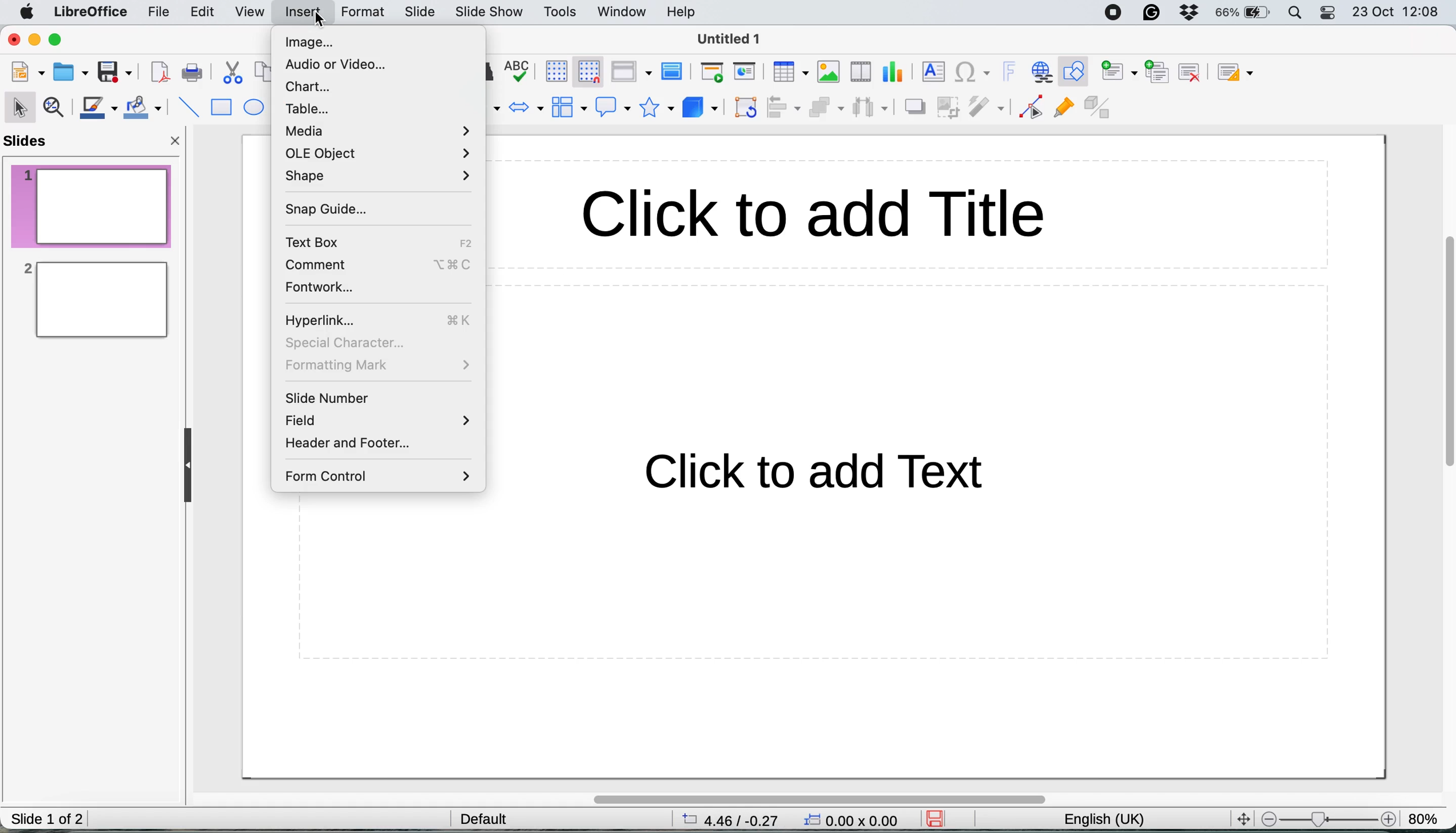 This screenshot has width=1456, height=833. Describe the element at coordinates (1117, 13) in the screenshot. I see `screen recorder` at that location.